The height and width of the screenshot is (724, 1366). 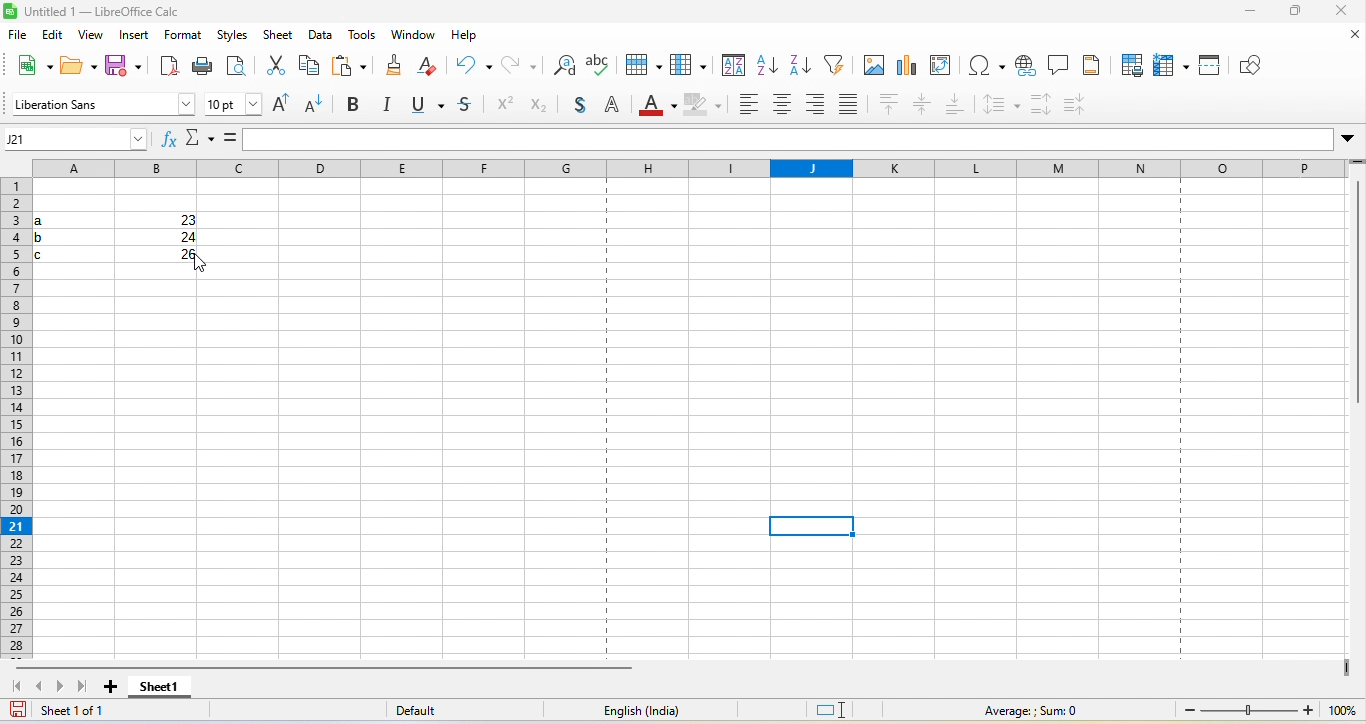 I want to click on column headings, so click(x=690, y=169).